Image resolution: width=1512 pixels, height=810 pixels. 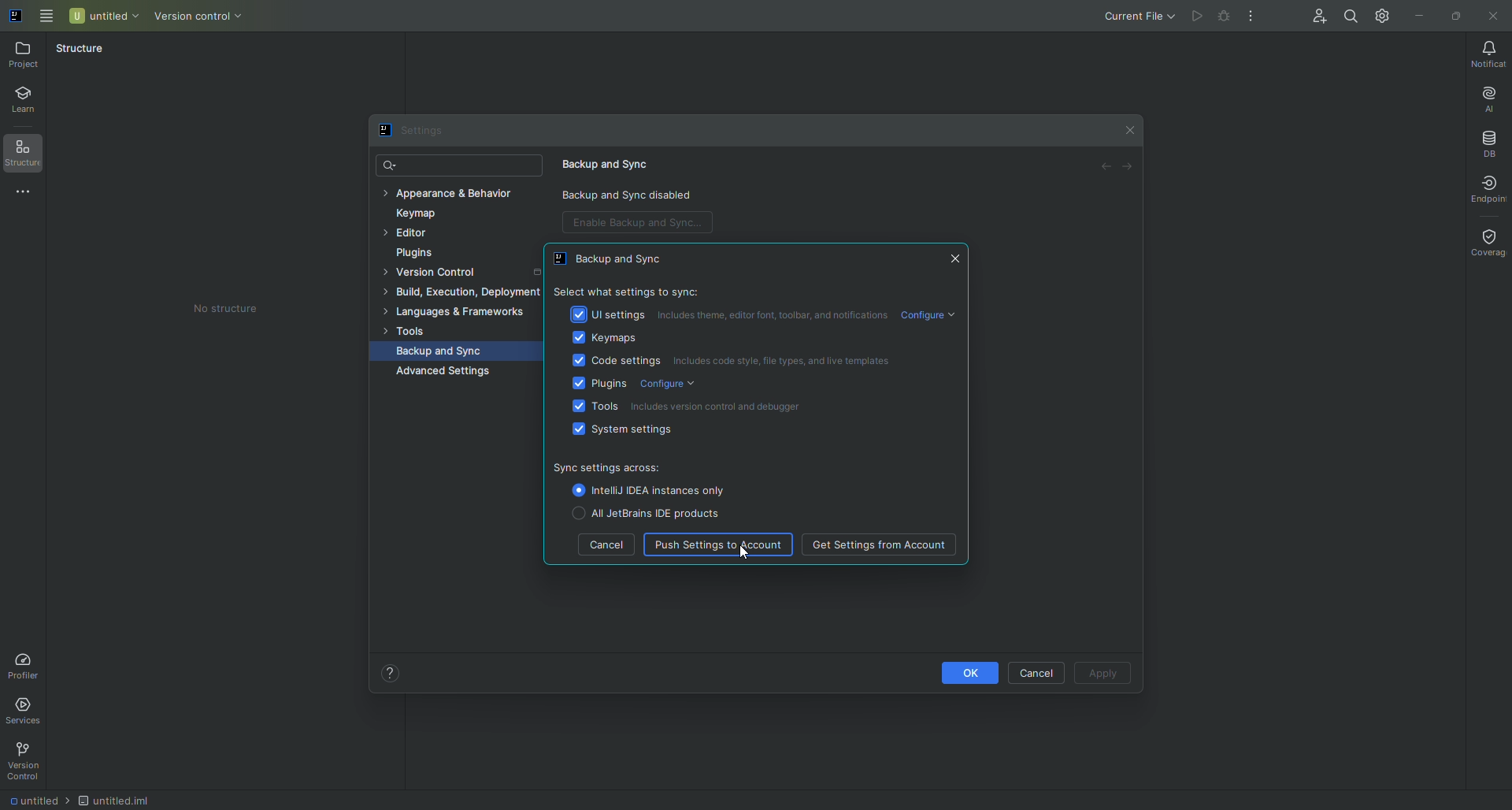 What do you see at coordinates (643, 224) in the screenshot?
I see `Enable Backup` at bounding box center [643, 224].